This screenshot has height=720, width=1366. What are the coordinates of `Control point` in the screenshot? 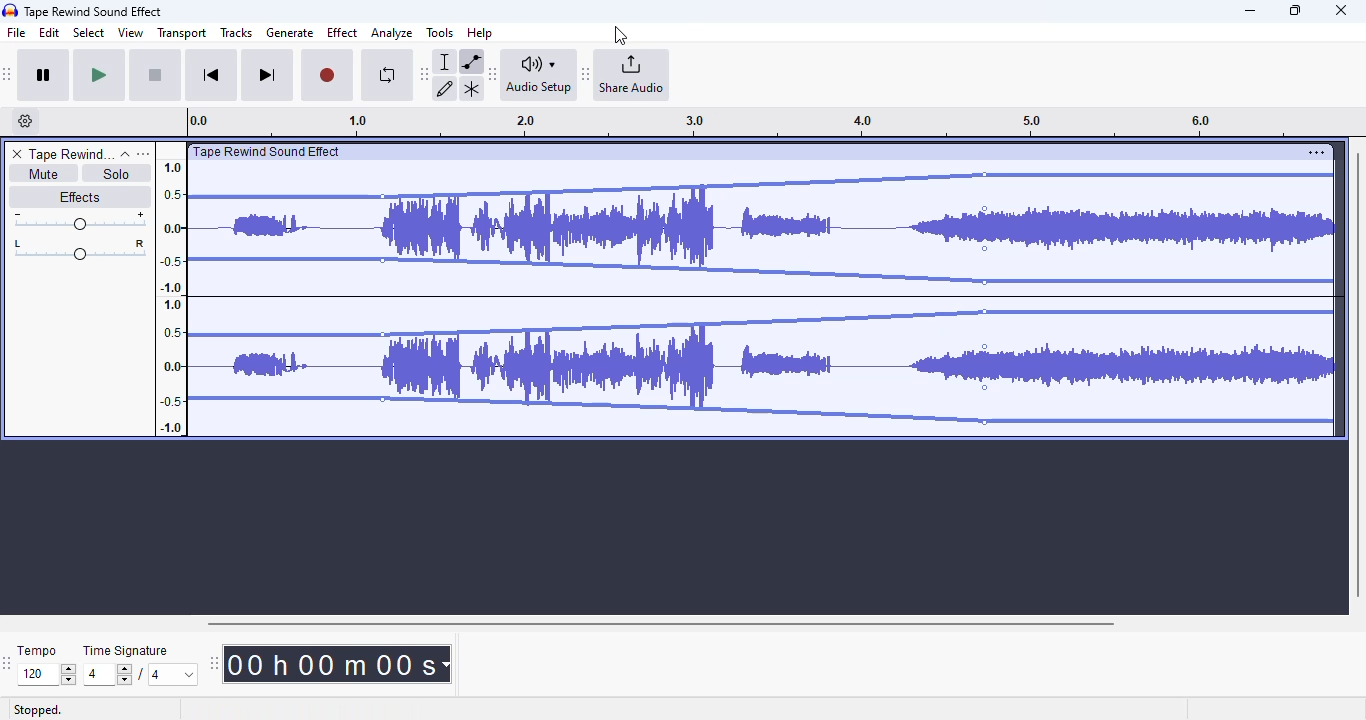 It's located at (985, 347).